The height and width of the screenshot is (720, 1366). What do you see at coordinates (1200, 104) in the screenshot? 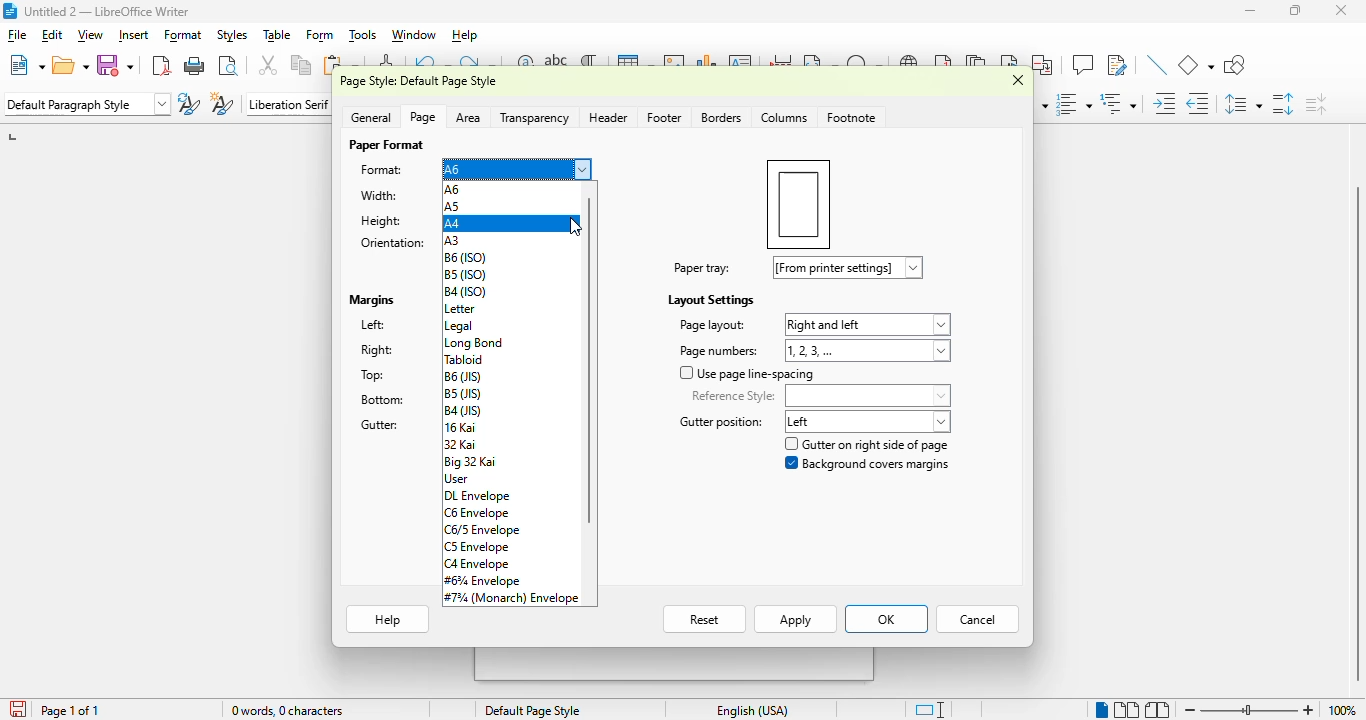
I see `decrease indent` at bounding box center [1200, 104].